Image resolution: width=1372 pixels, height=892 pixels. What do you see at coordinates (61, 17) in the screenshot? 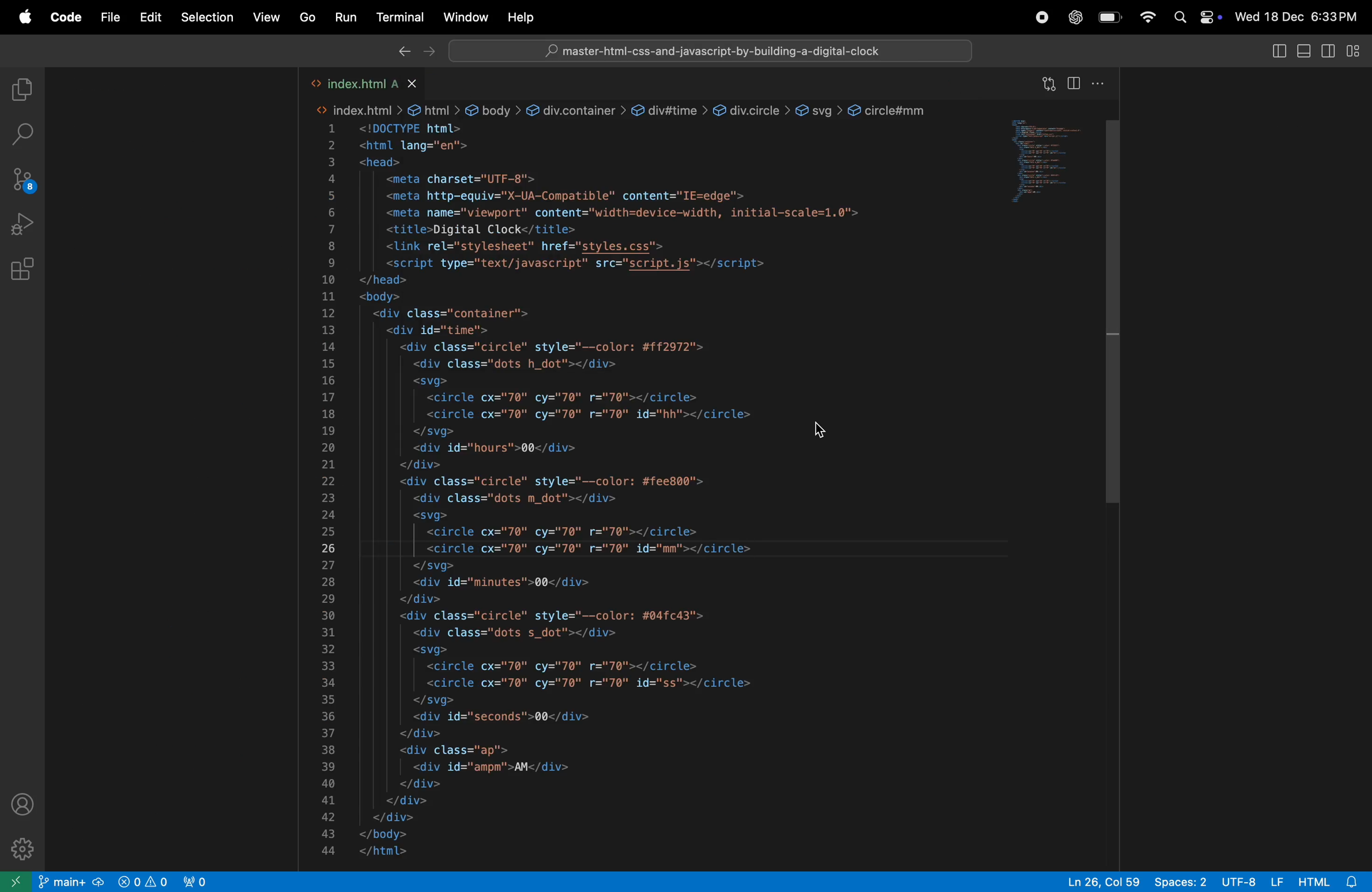
I see `Code` at bounding box center [61, 17].